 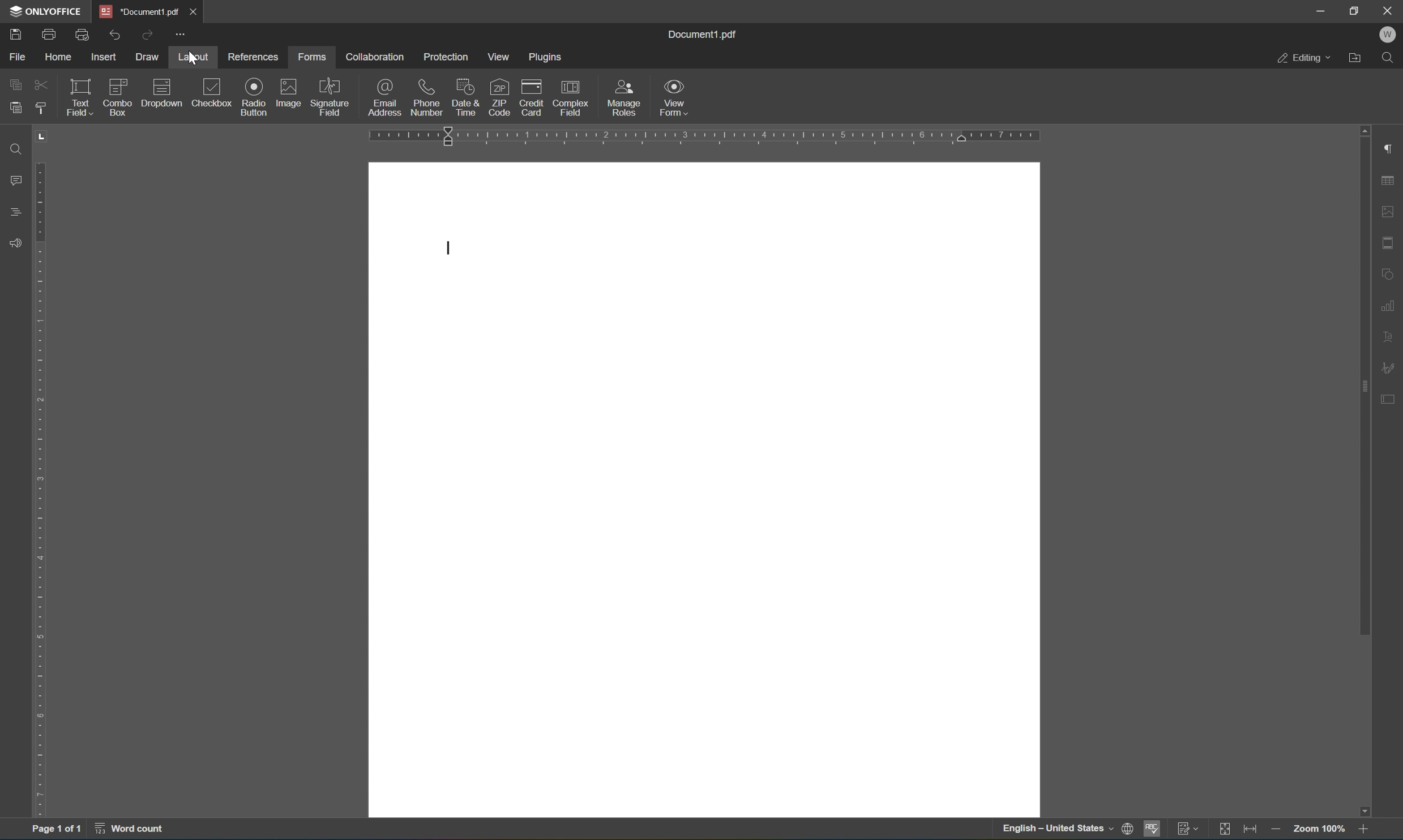 What do you see at coordinates (49, 32) in the screenshot?
I see `print` at bounding box center [49, 32].